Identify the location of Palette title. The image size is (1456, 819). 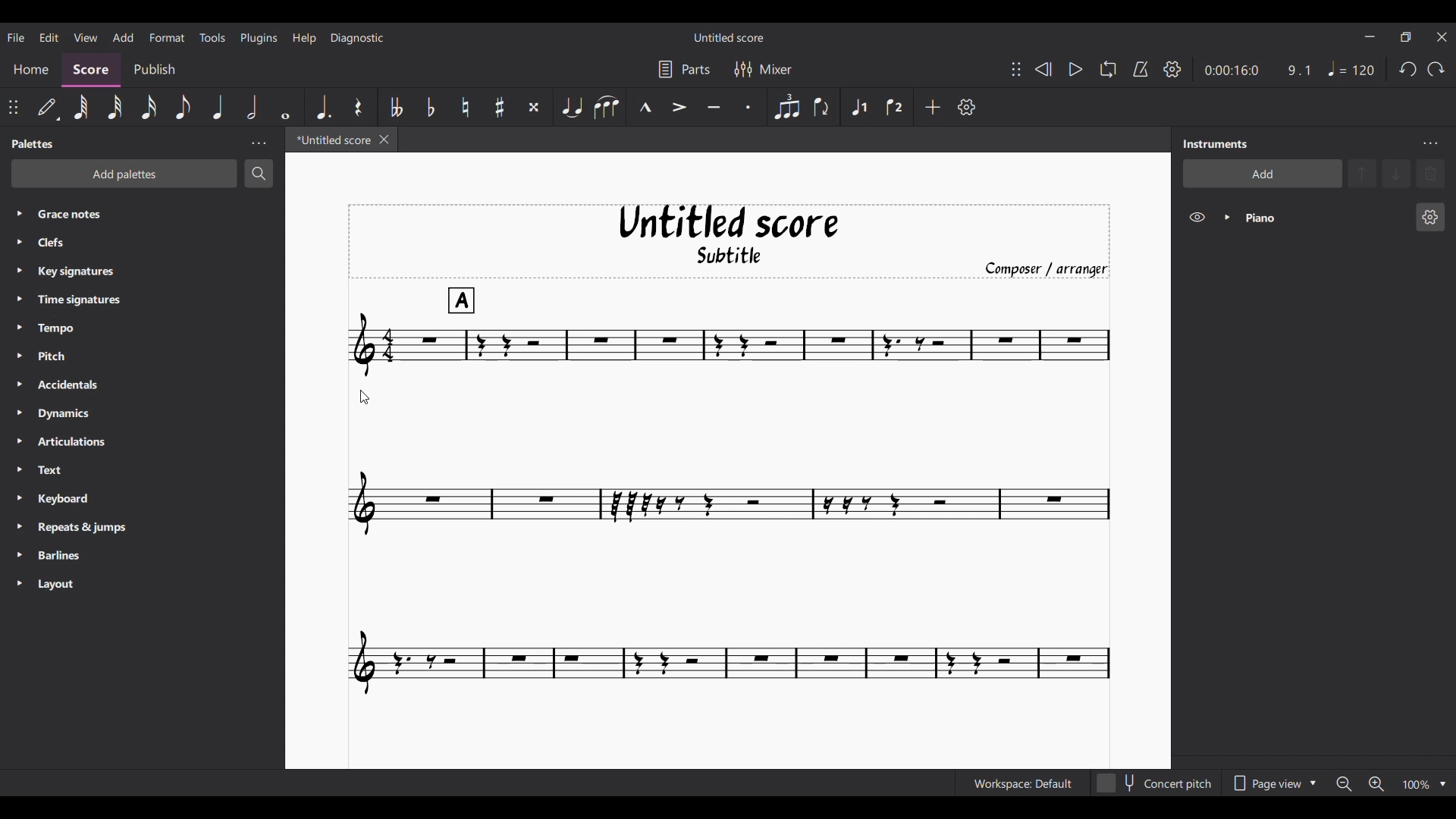
(34, 144).